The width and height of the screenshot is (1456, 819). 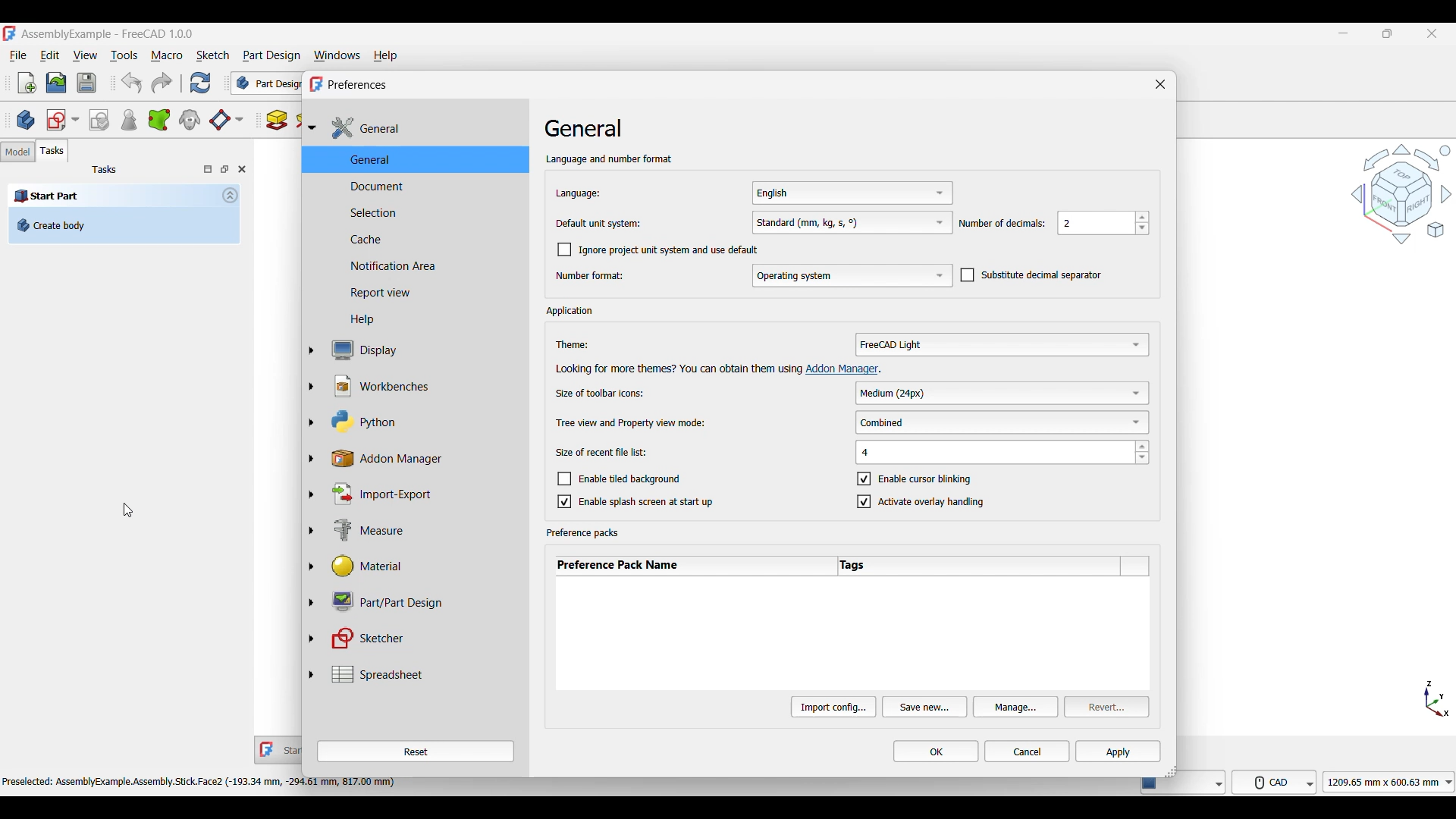 I want to click on Addon manager, so click(x=422, y=458).